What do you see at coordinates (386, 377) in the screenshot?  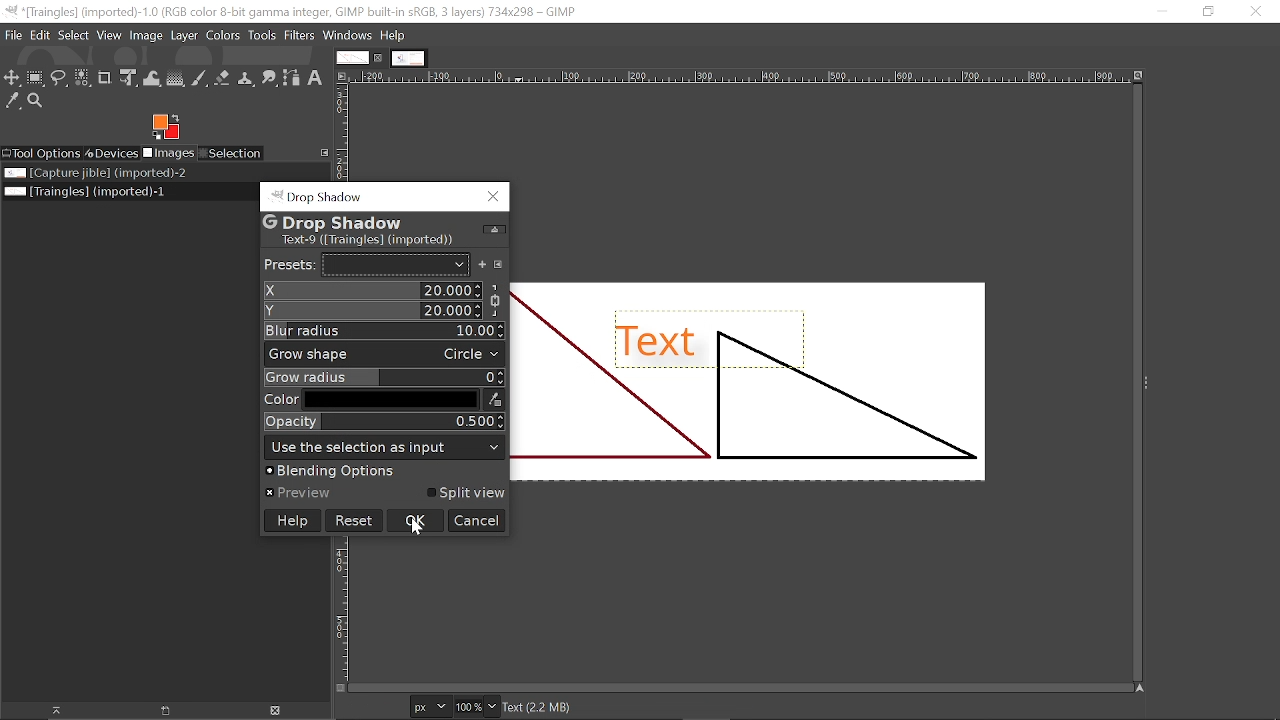 I see `grow radius` at bounding box center [386, 377].